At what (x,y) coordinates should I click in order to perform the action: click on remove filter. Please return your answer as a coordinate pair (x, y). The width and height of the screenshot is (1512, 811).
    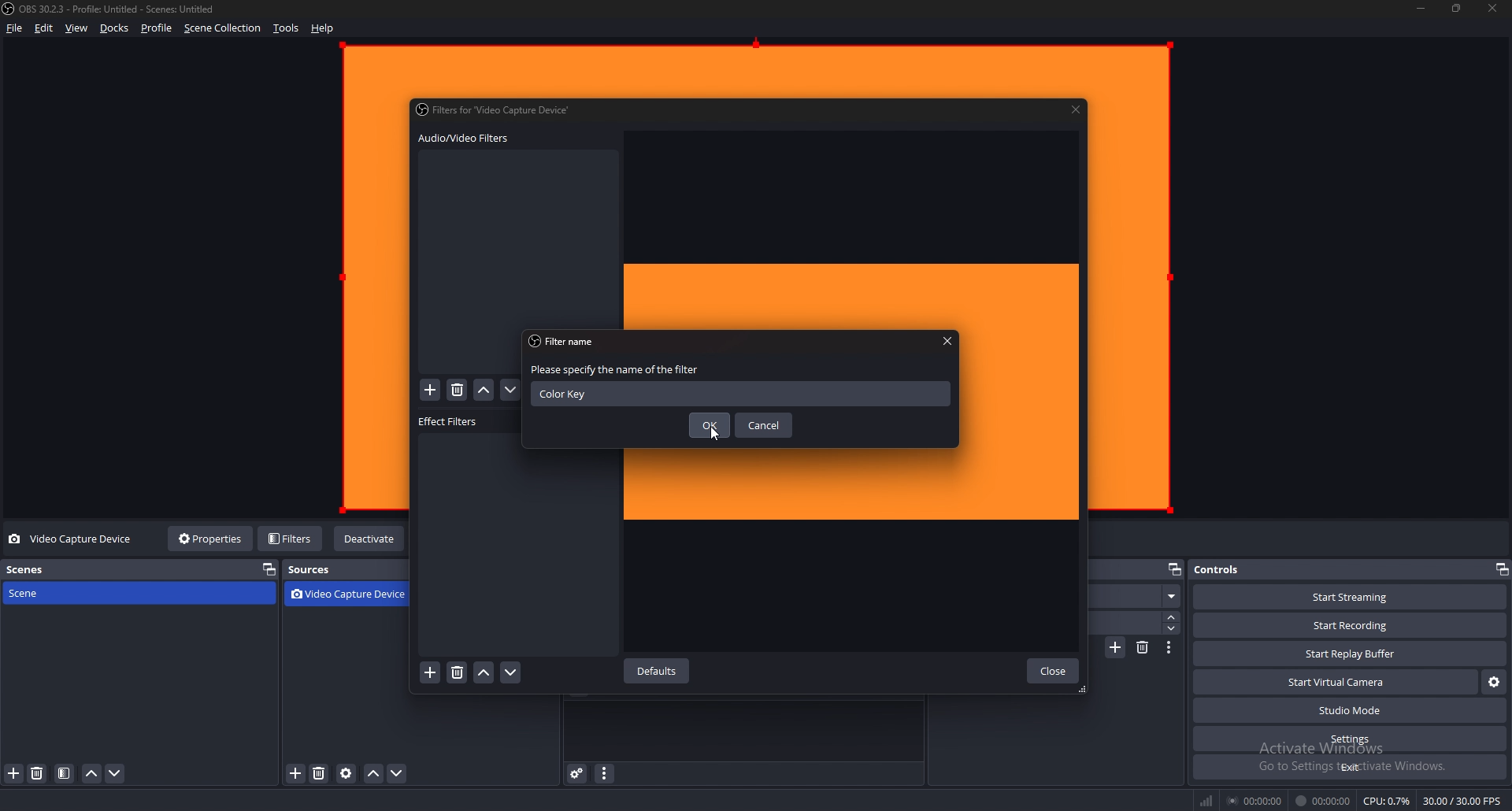
    Looking at the image, I should click on (456, 674).